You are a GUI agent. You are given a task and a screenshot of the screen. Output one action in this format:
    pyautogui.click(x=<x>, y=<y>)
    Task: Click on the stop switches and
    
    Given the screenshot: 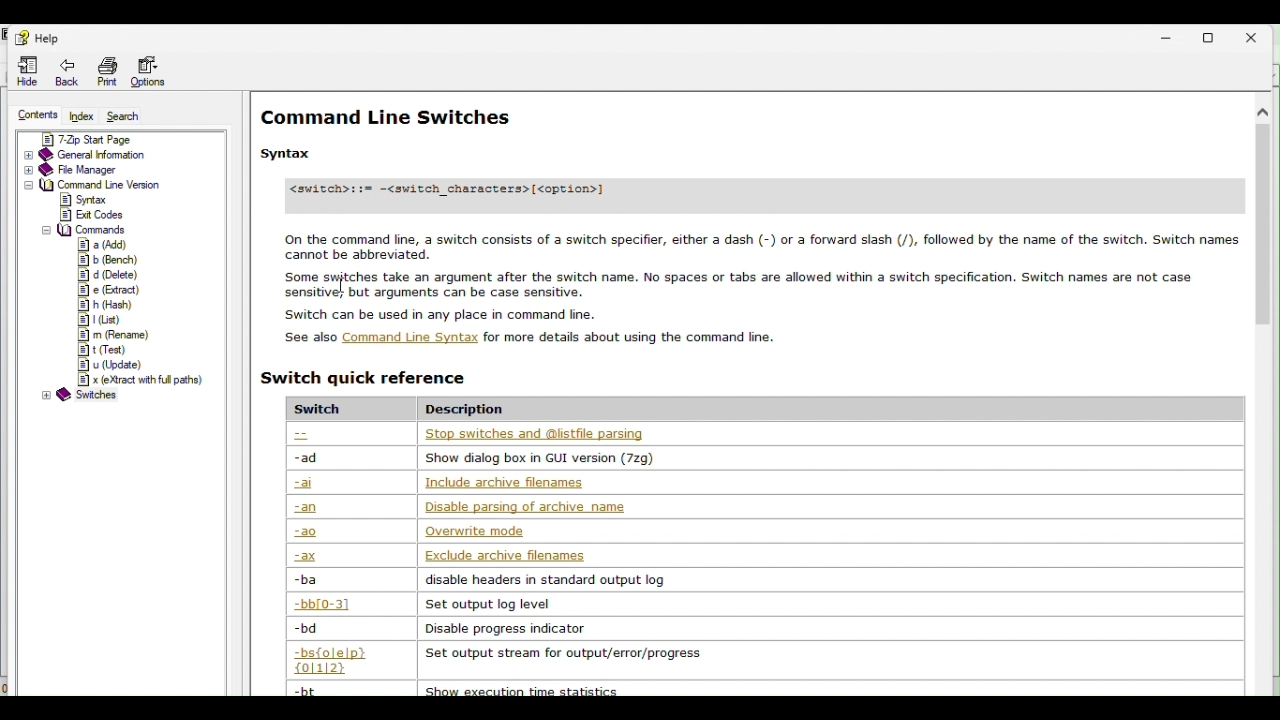 What is the action you would take?
    pyautogui.click(x=533, y=436)
    